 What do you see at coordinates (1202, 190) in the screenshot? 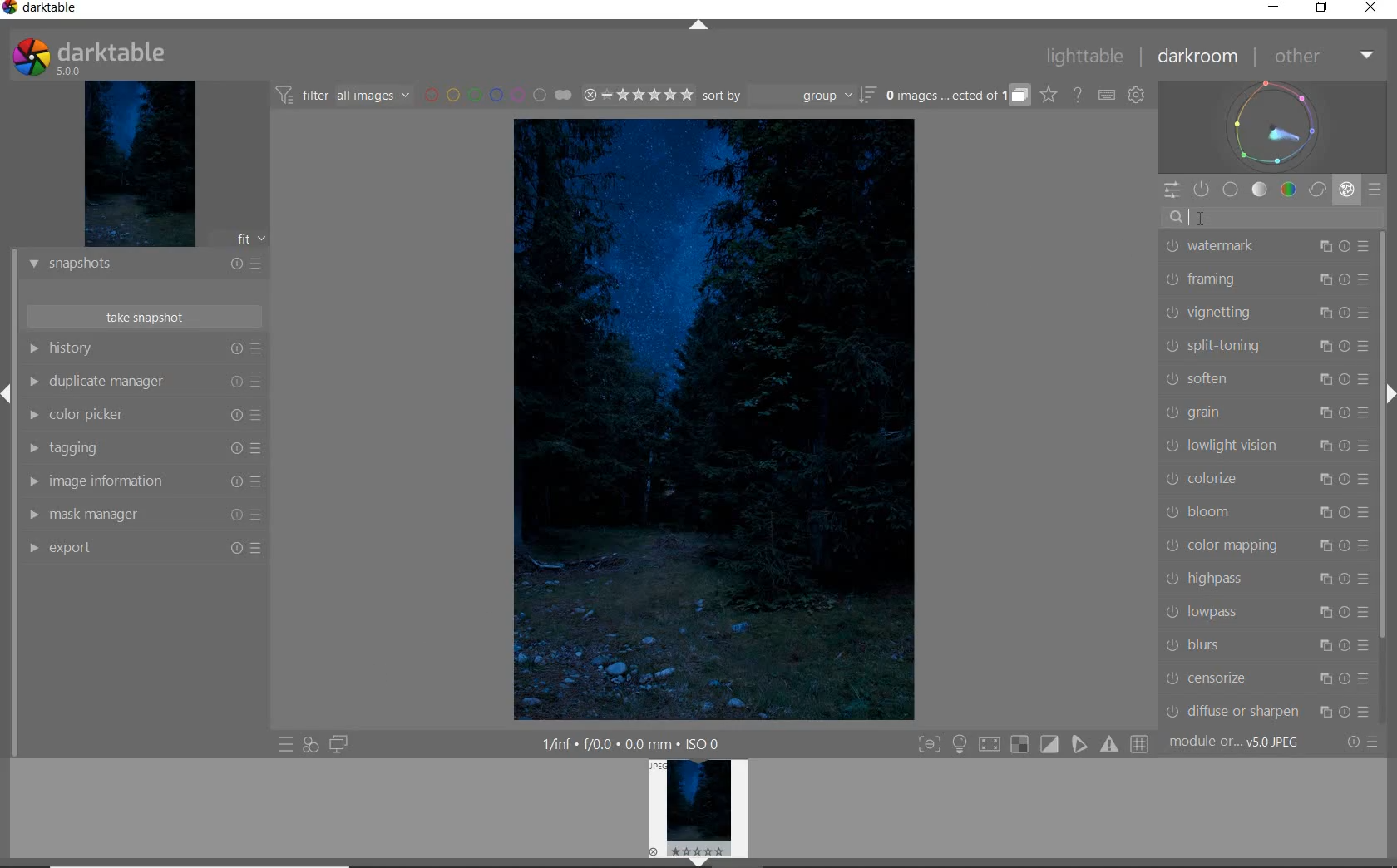
I see `SHOW ONLY ACTIVE MODULES` at bounding box center [1202, 190].